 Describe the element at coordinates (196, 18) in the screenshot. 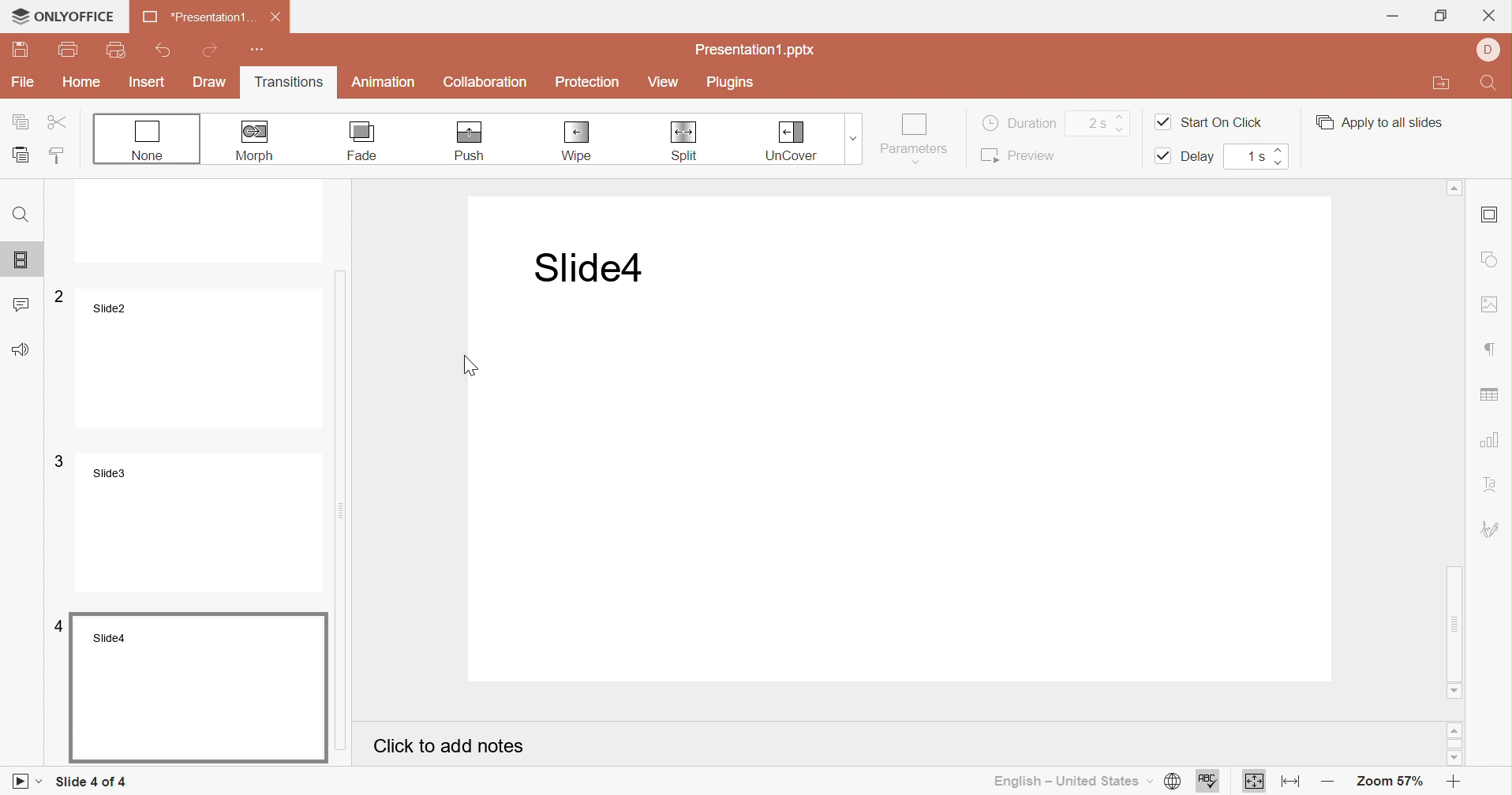

I see `*Presentation1 ...` at that location.